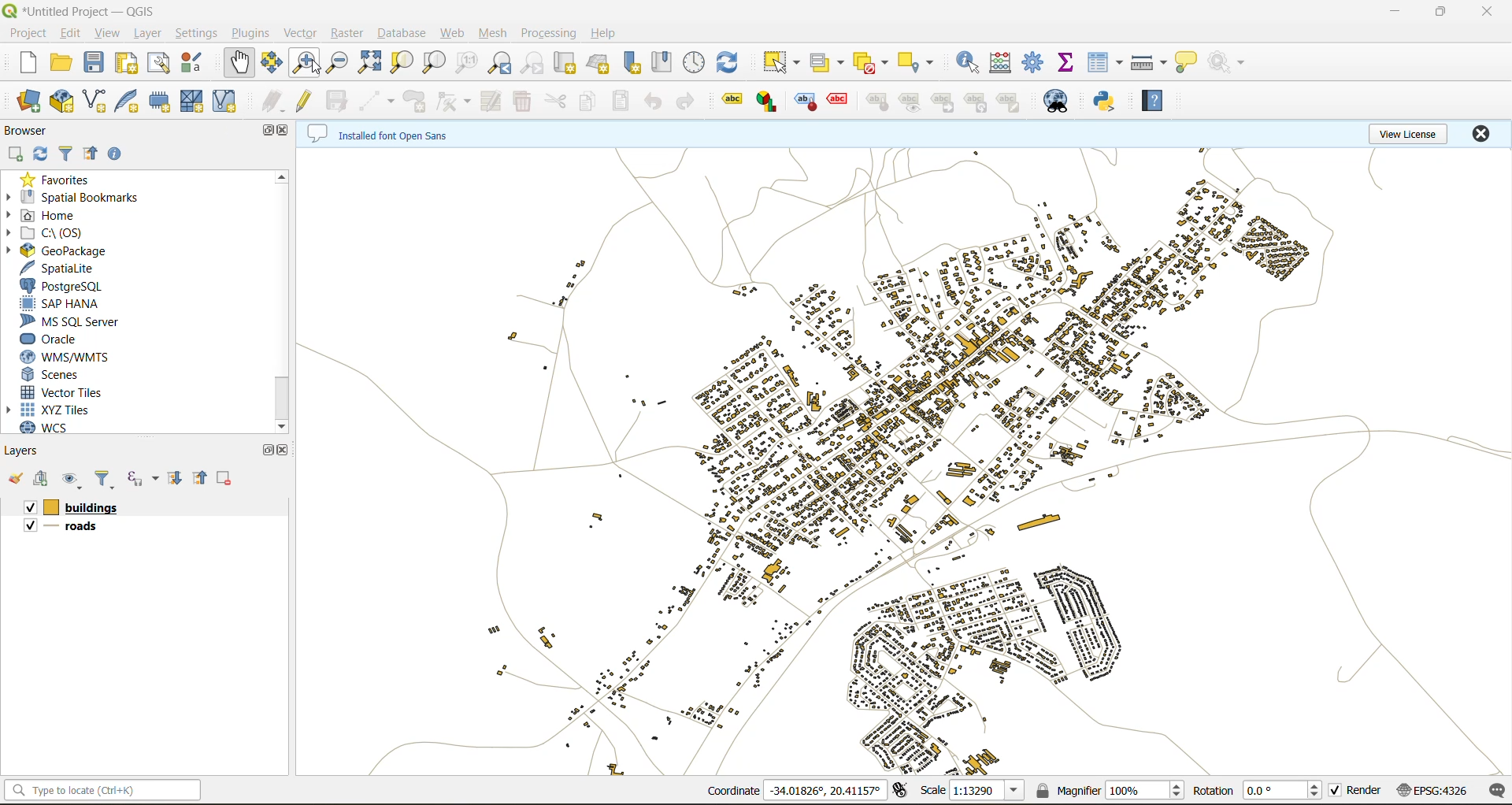 The width and height of the screenshot is (1512, 805). I want to click on add polygon, so click(417, 103).